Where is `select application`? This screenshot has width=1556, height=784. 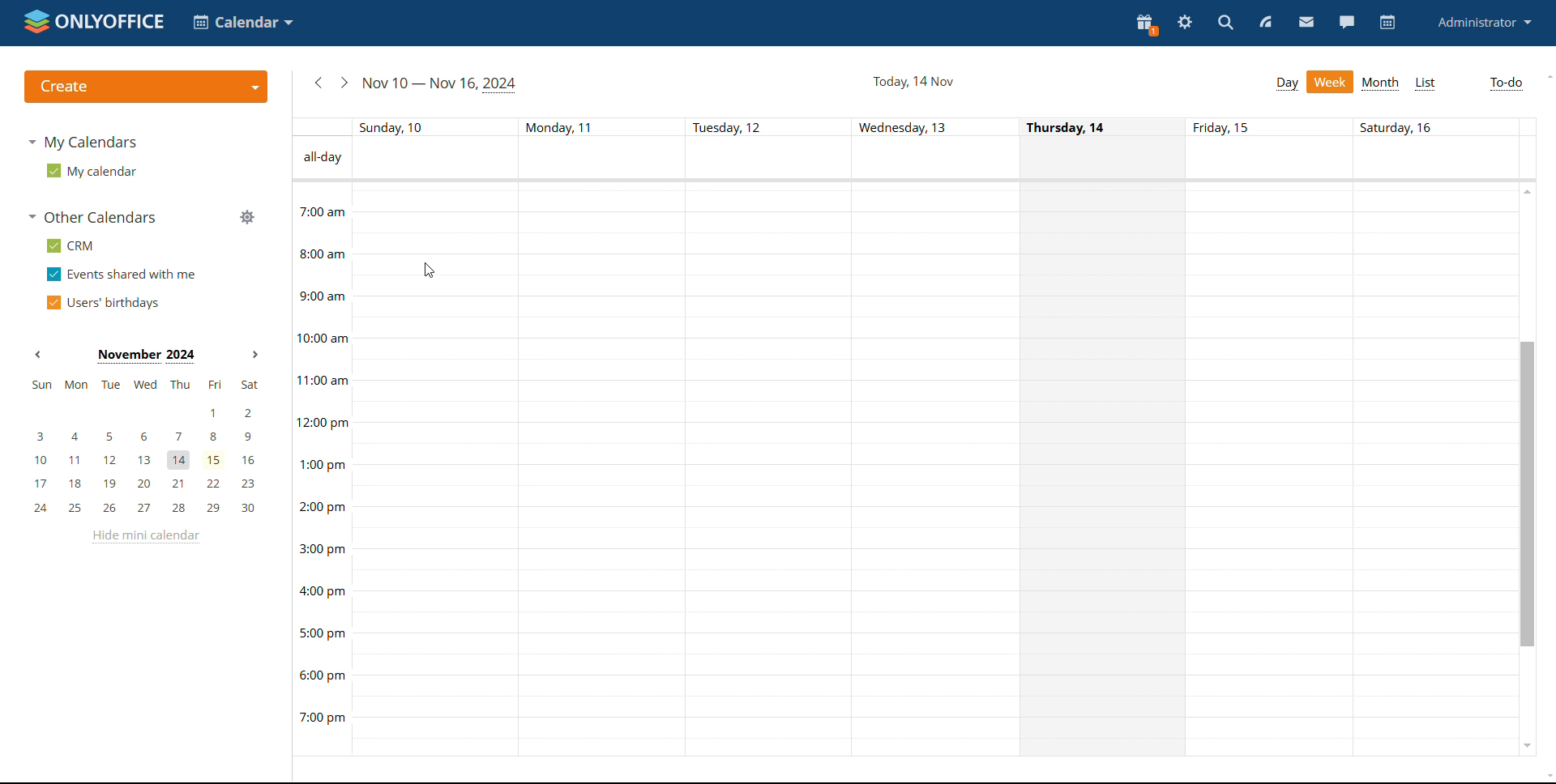 select application is located at coordinates (243, 23).